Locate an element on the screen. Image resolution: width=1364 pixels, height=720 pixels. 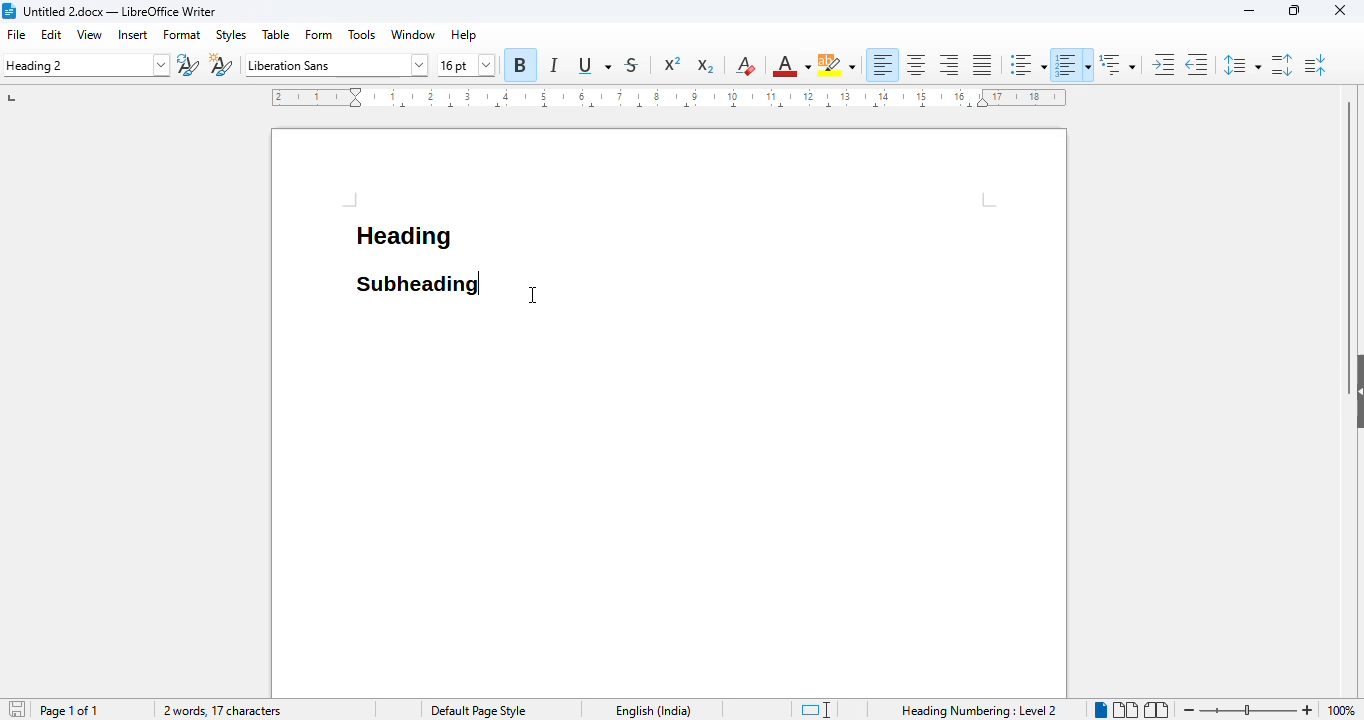
zoom out is located at coordinates (1190, 710).